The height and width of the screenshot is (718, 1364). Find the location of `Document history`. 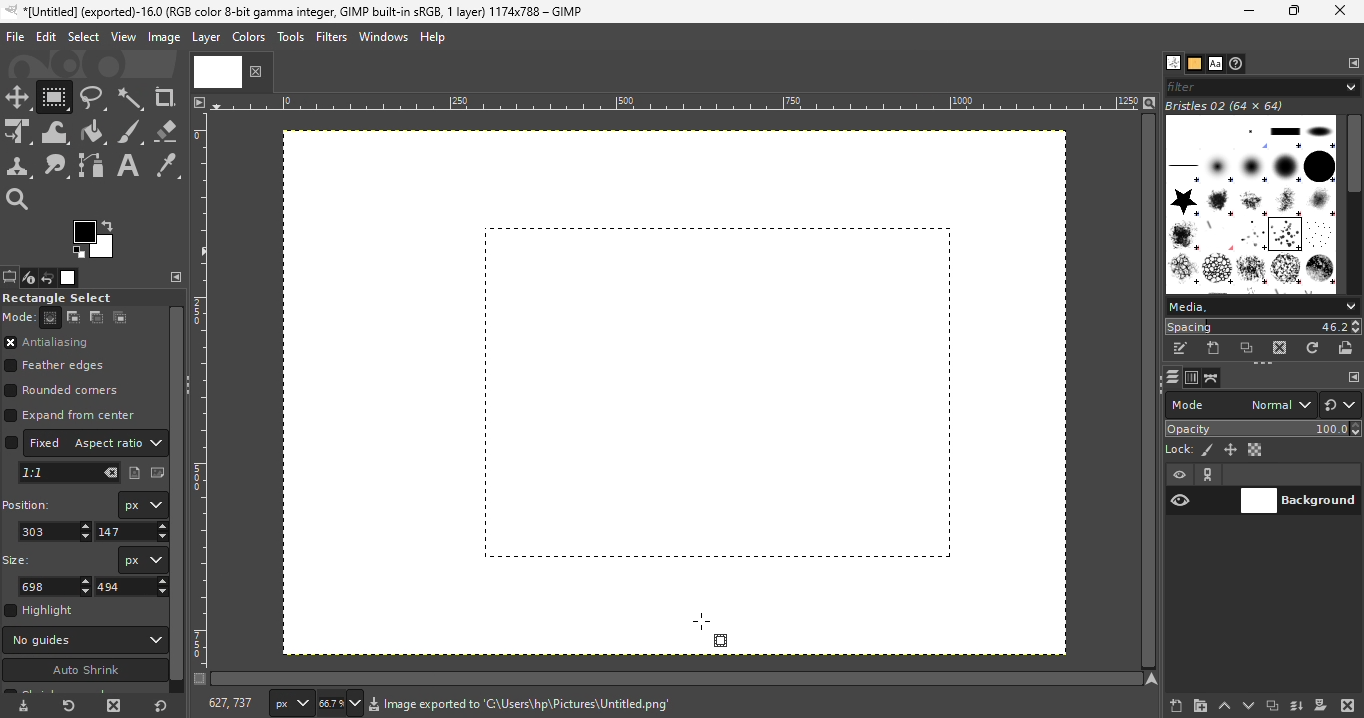

Document history is located at coordinates (1237, 64).